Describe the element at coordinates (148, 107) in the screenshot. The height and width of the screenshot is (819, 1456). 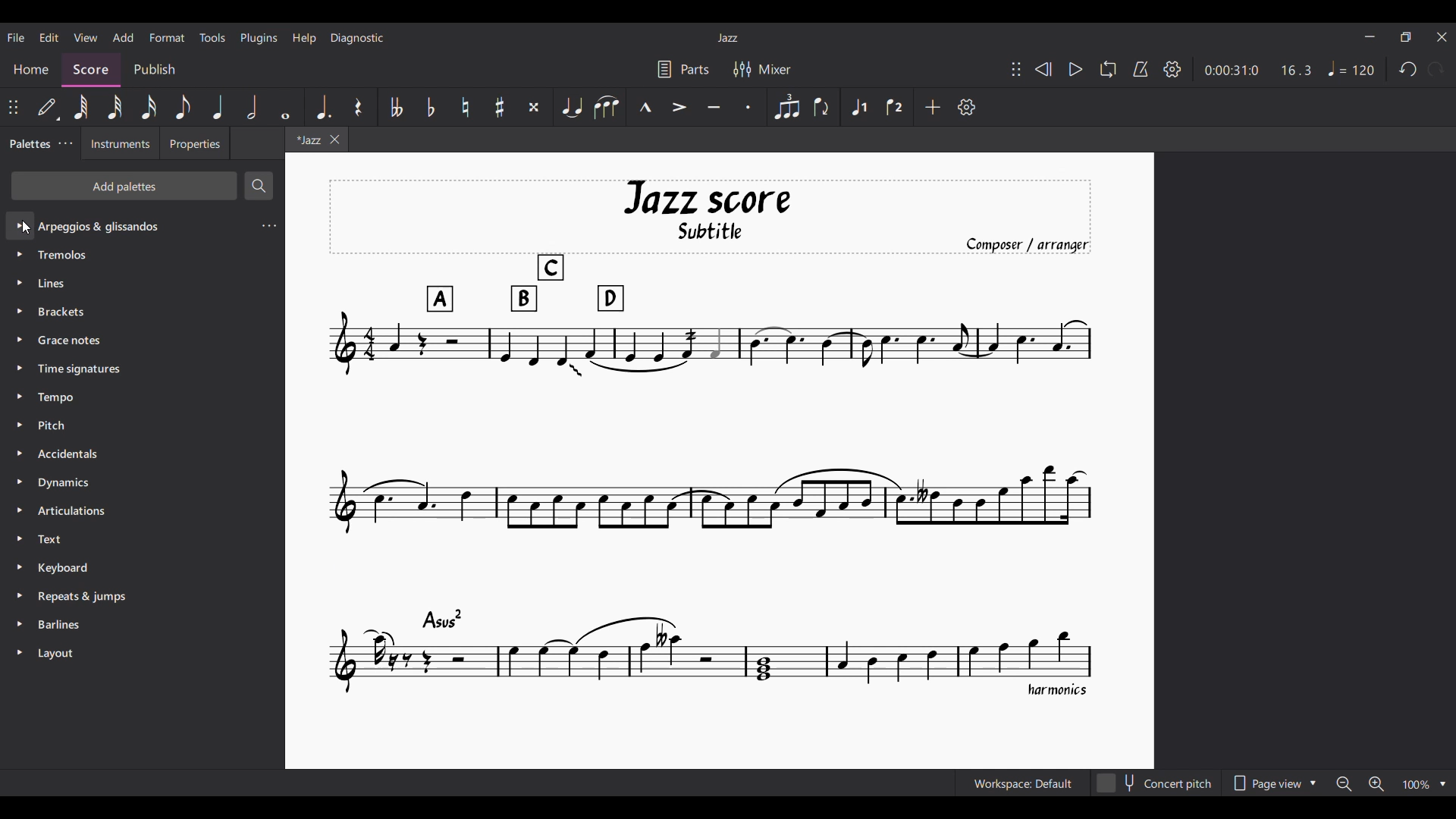
I see `16th note` at that location.